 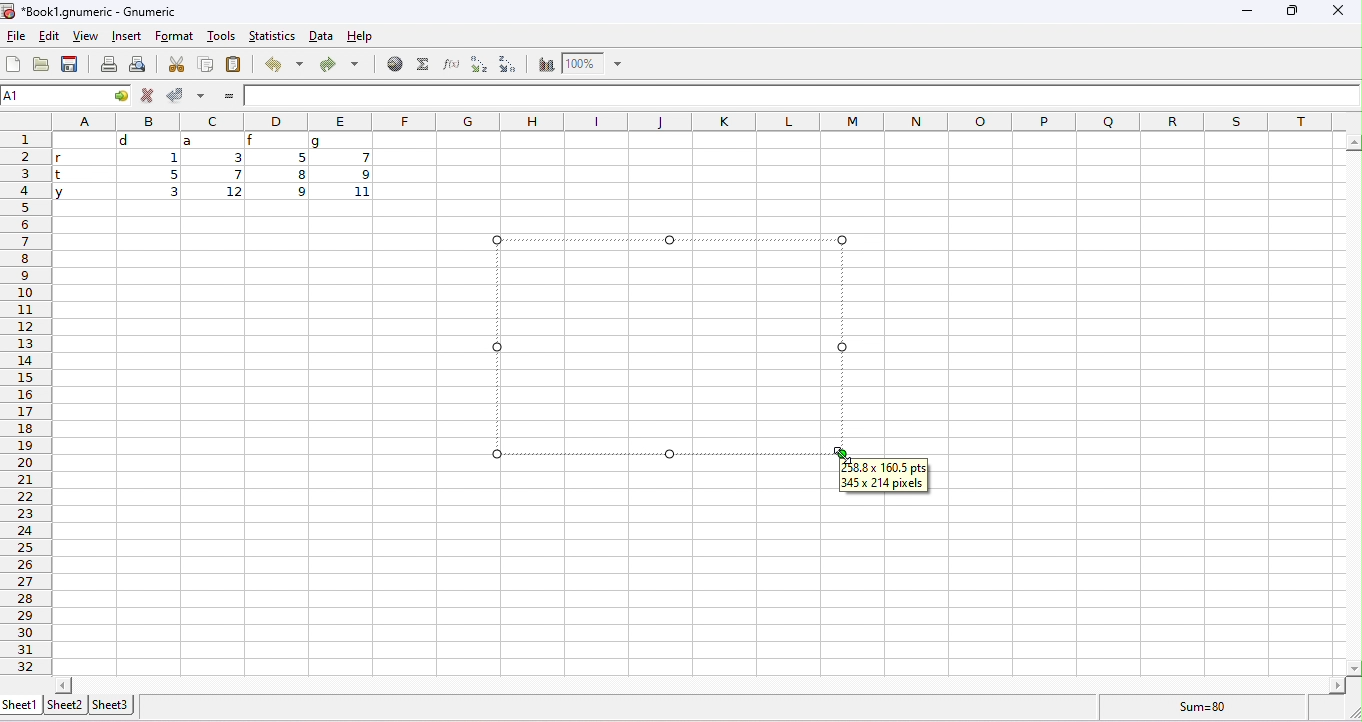 What do you see at coordinates (113, 704) in the screenshot?
I see `sheet3` at bounding box center [113, 704].